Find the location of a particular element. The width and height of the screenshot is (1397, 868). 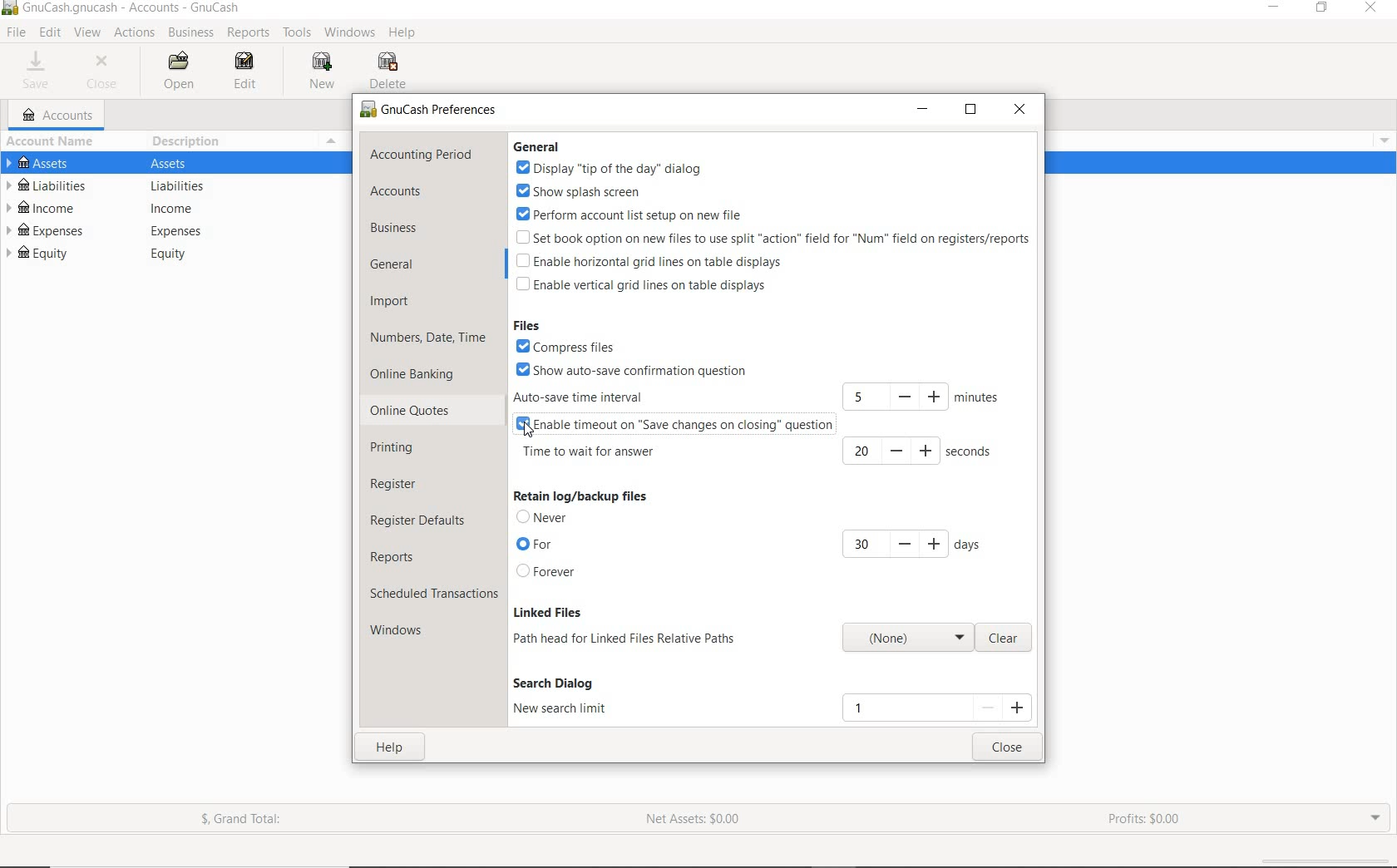

CLOSE is located at coordinates (1019, 747).